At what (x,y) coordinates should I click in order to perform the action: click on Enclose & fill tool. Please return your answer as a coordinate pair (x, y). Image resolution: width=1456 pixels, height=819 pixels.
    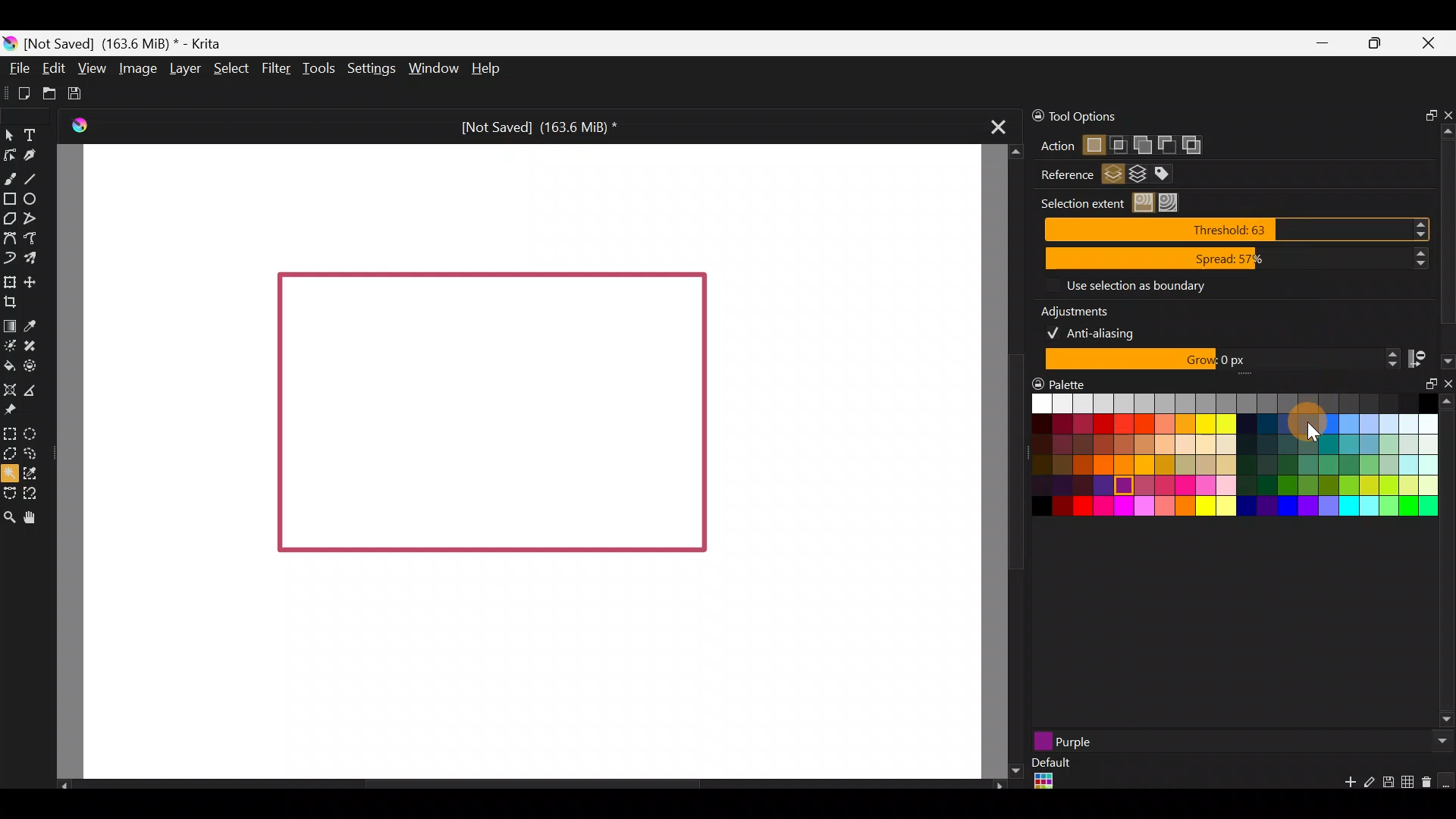
    Looking at the image, I should click on (36, 366).